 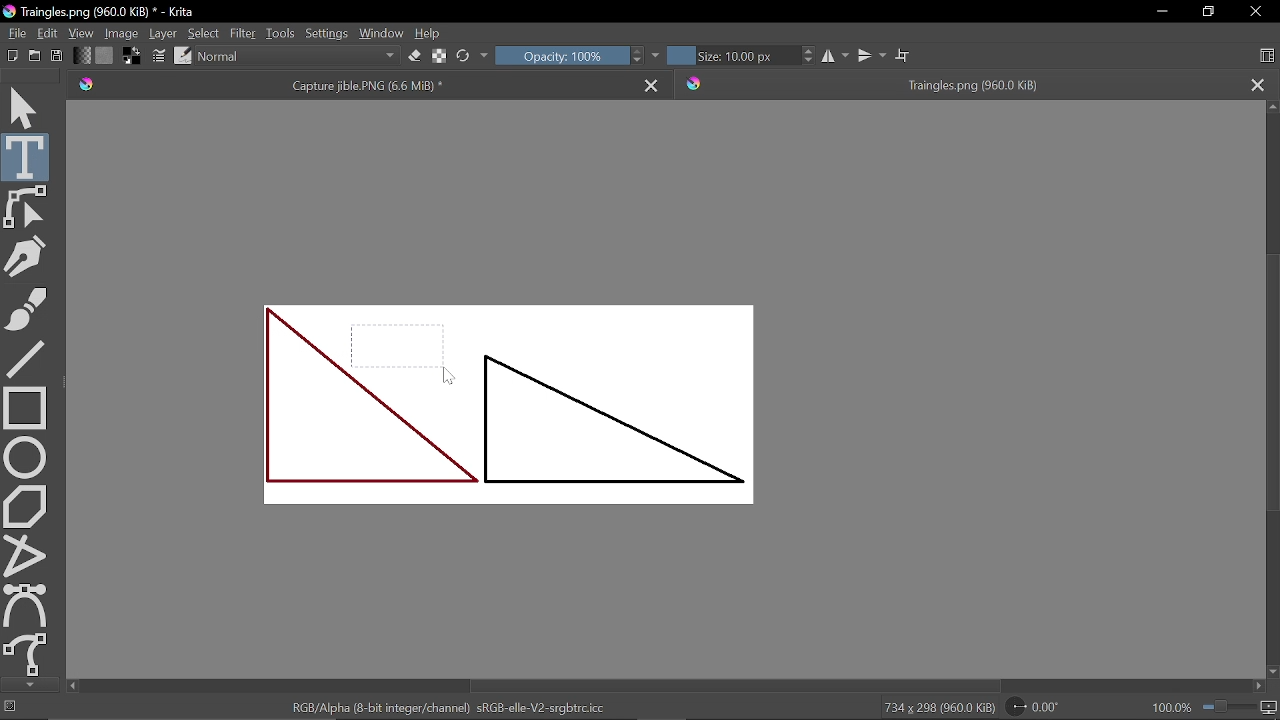 What do you see at coordinates (382, 35) in the screenshot?
I see `Window` at bounding box center [382, 35].